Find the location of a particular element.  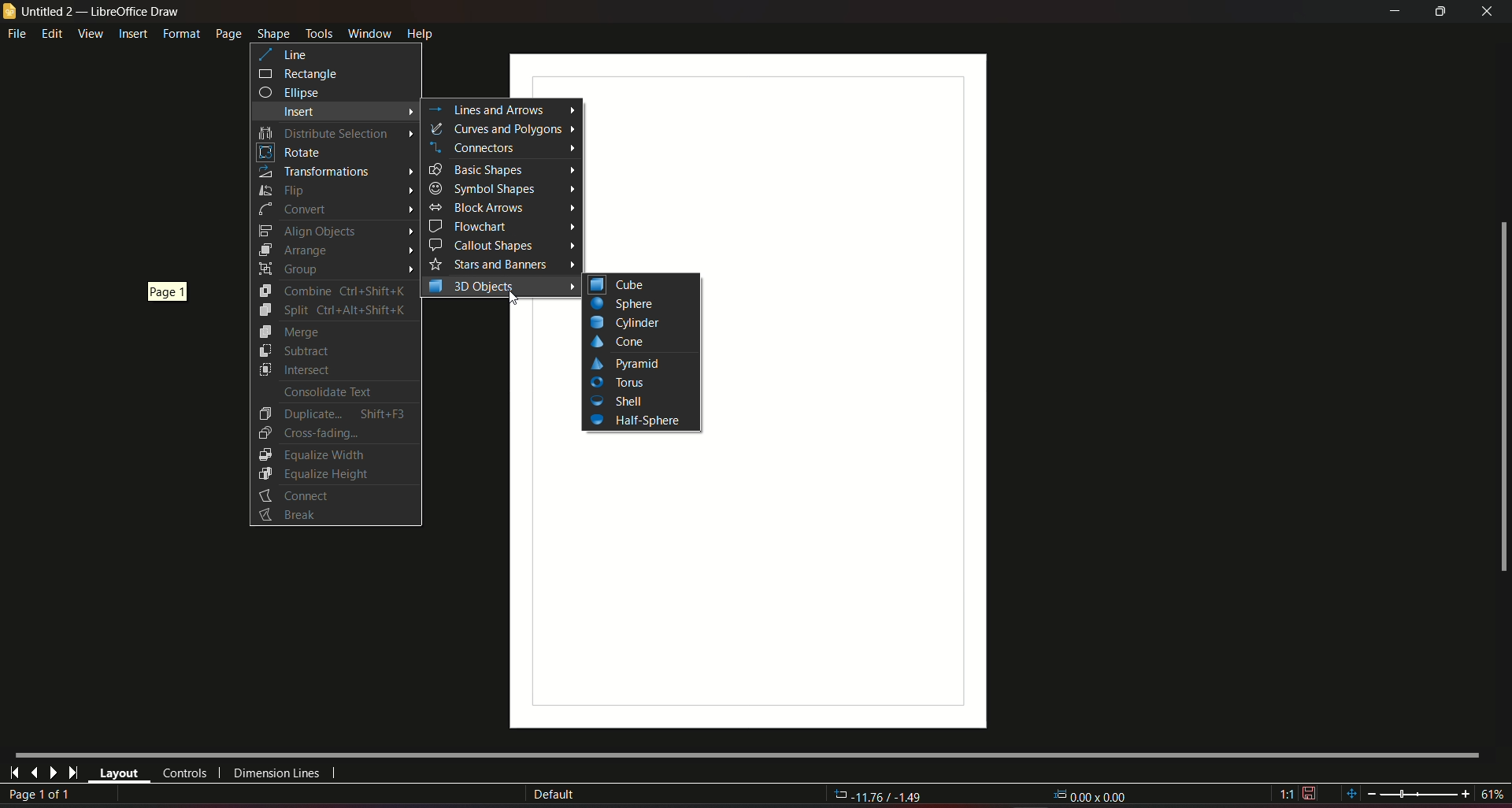

Split is located at coordinates (332, 309).